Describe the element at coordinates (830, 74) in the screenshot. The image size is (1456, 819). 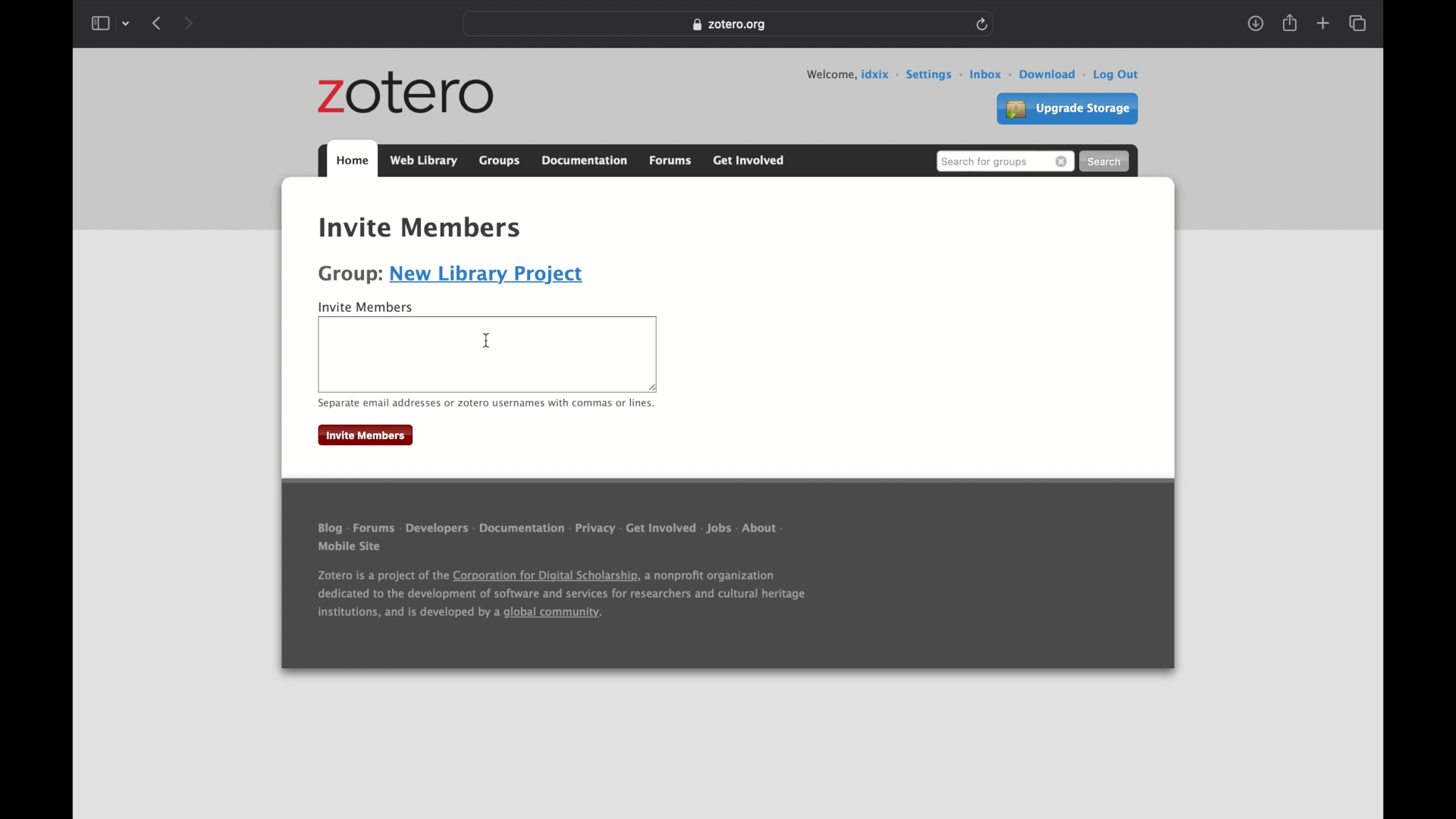
I see `welcome` at that location.